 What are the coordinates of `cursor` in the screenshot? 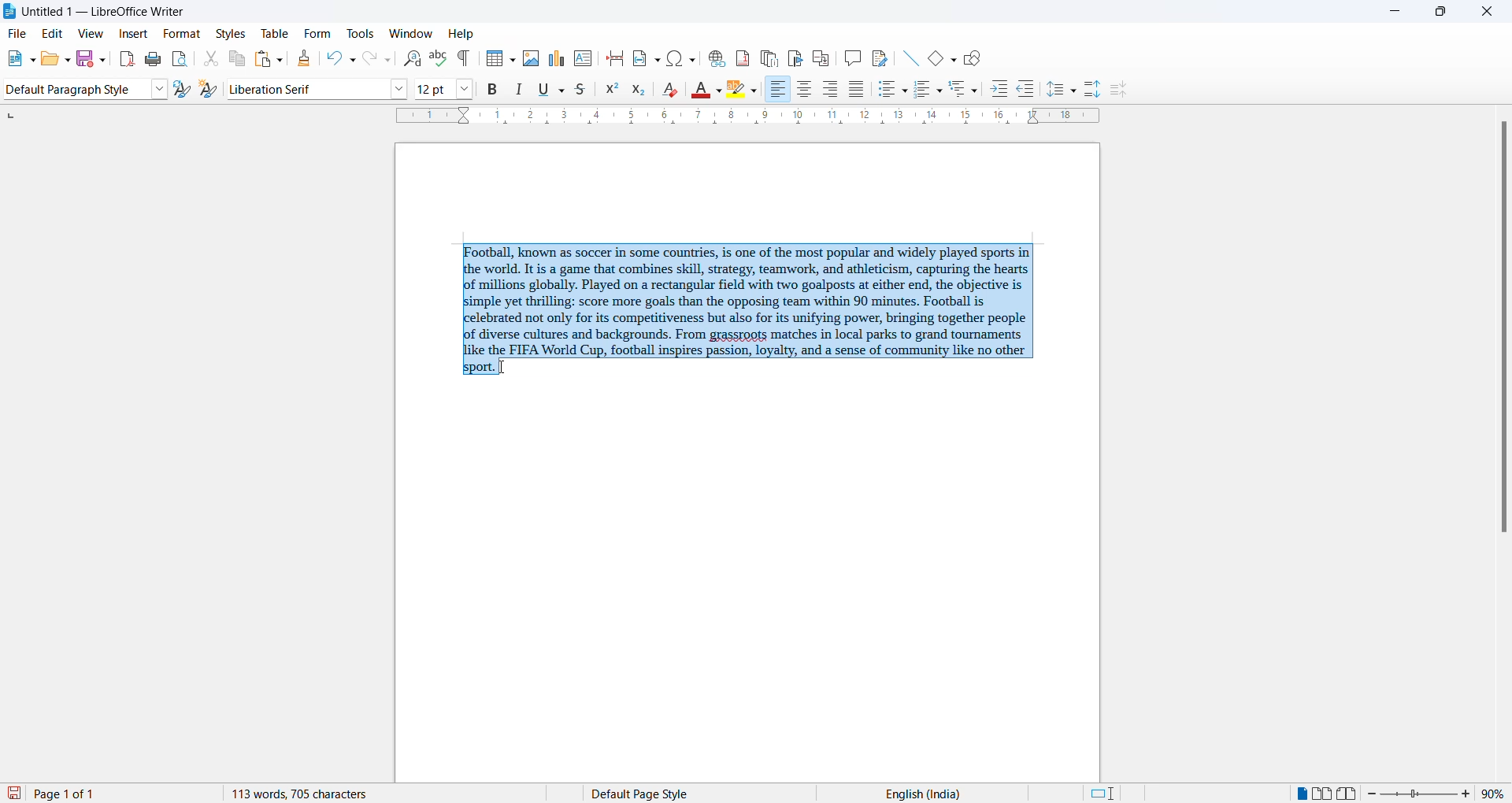 It's located at (503, 368).